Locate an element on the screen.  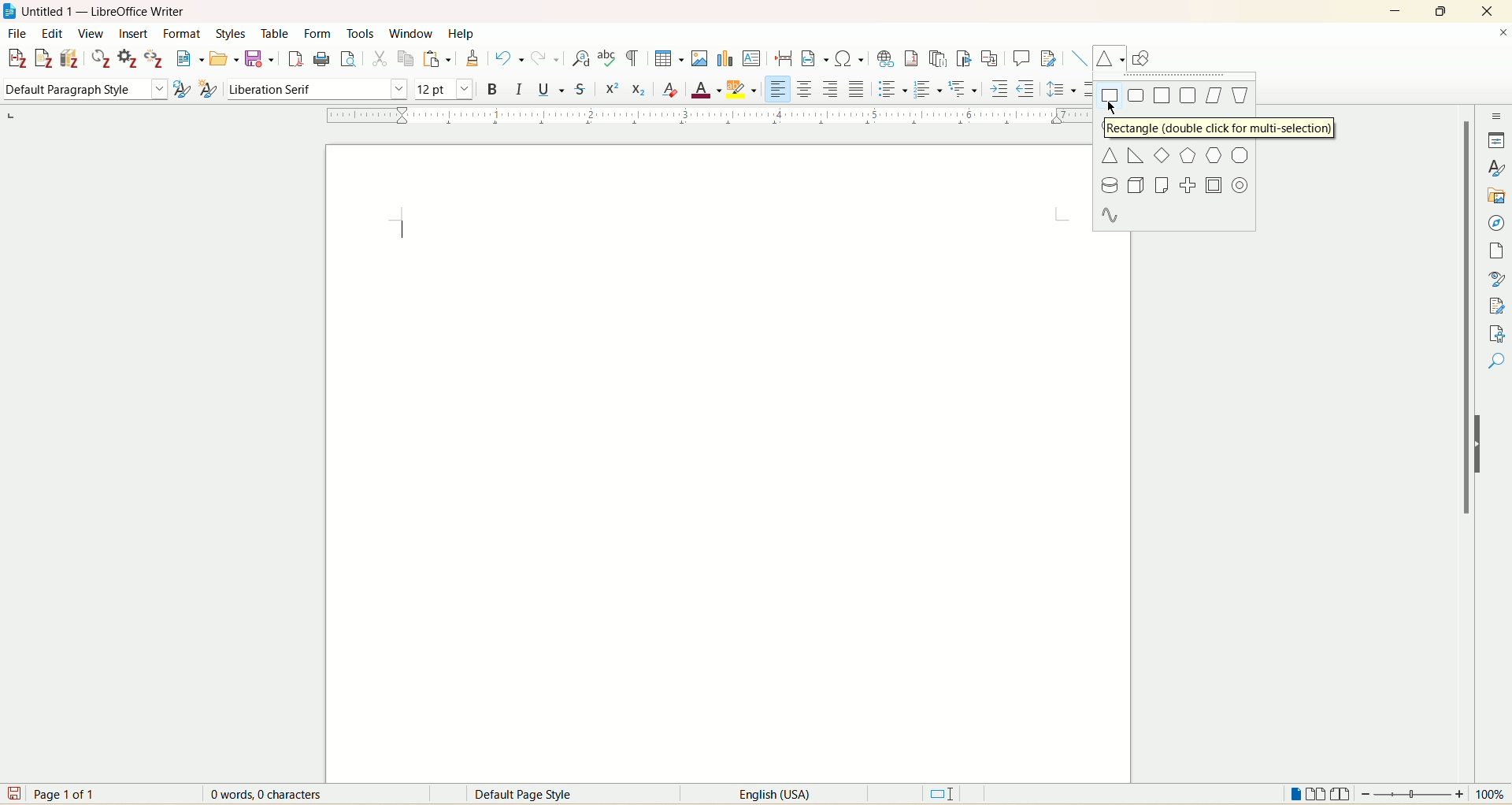
properties is located at coordinates (1496, 140).